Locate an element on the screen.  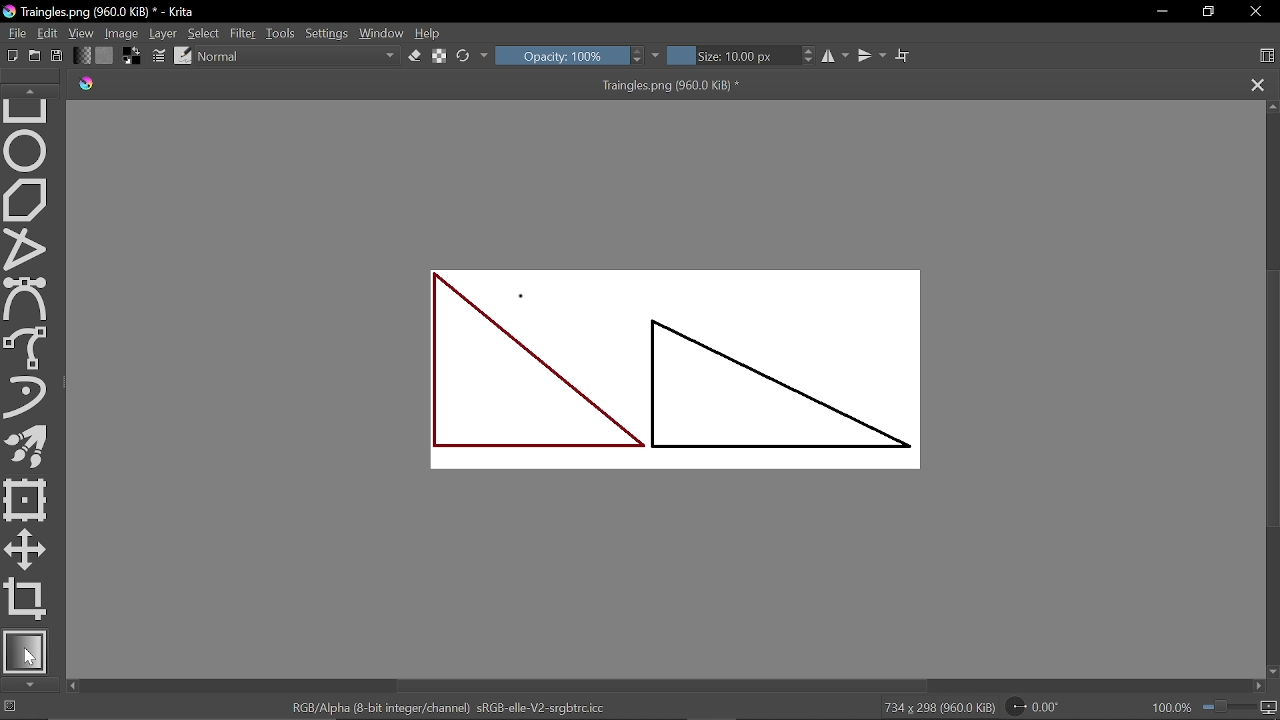
Bezier curve tool is located at coordinates (28, 300).